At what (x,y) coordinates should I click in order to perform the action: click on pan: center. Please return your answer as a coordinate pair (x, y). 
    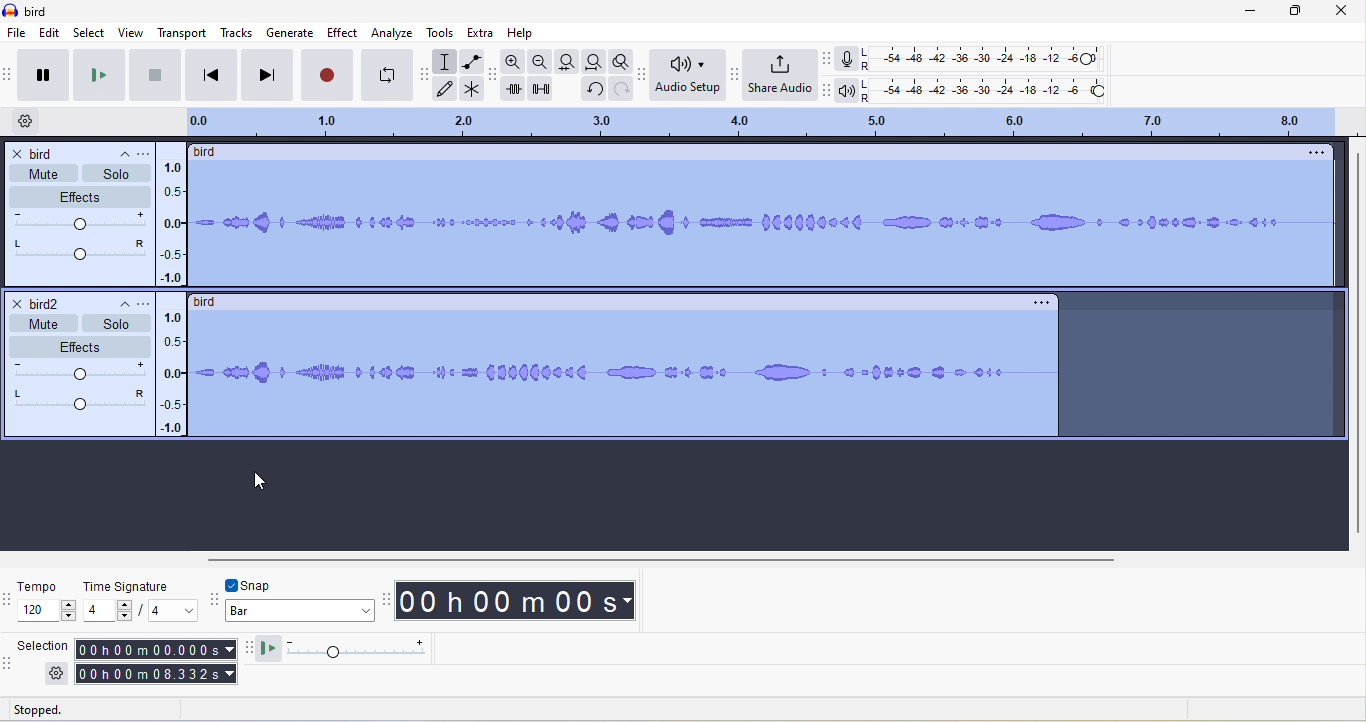
    Looking at the image, I should click on (77, 248).